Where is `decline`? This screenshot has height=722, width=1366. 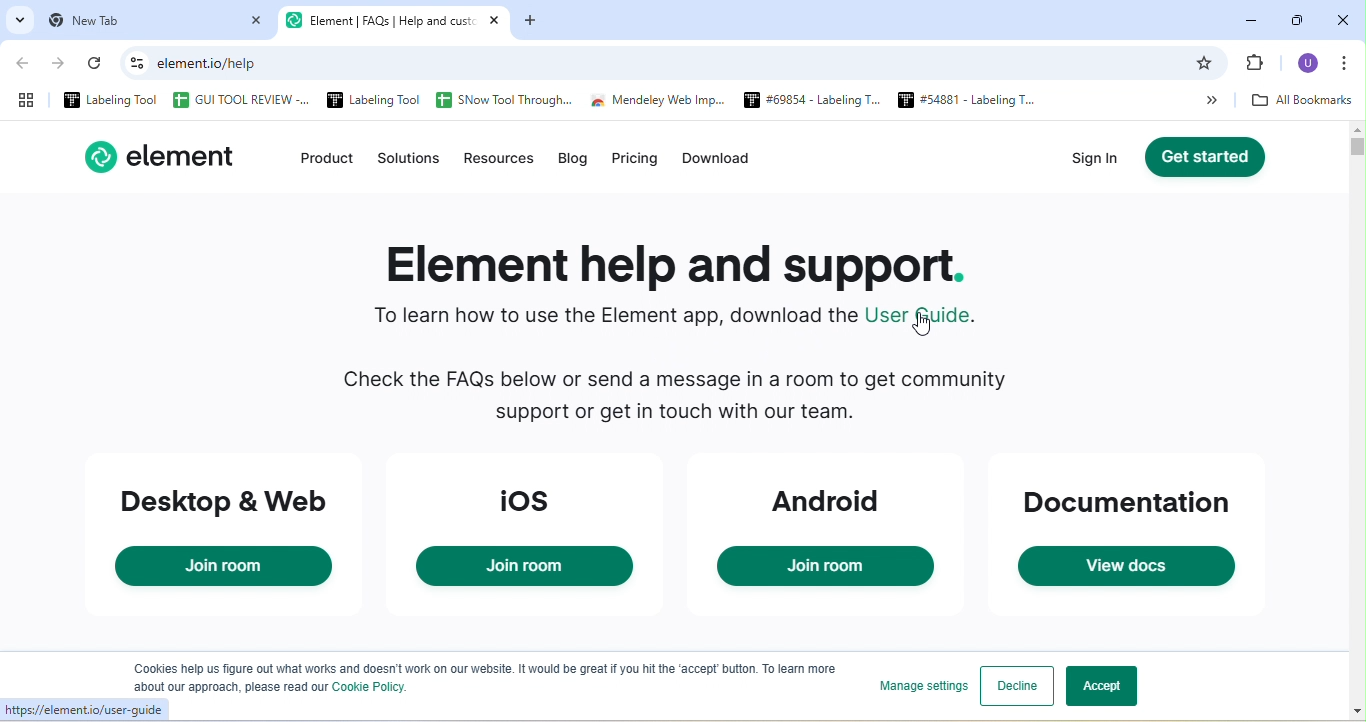 decline is located at coordinates (1014, 684).